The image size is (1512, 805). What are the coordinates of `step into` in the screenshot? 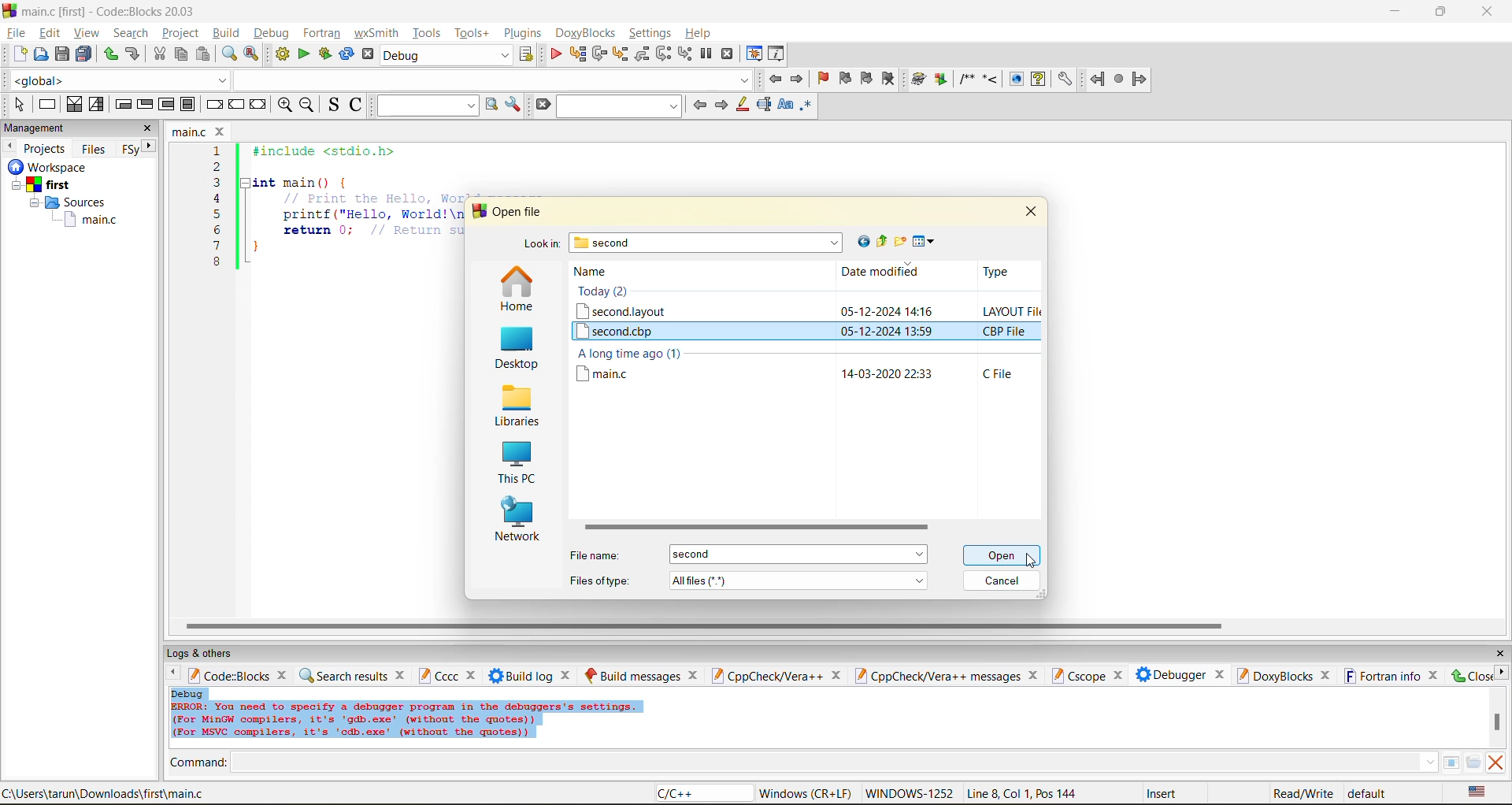 It's located at (619, 54).